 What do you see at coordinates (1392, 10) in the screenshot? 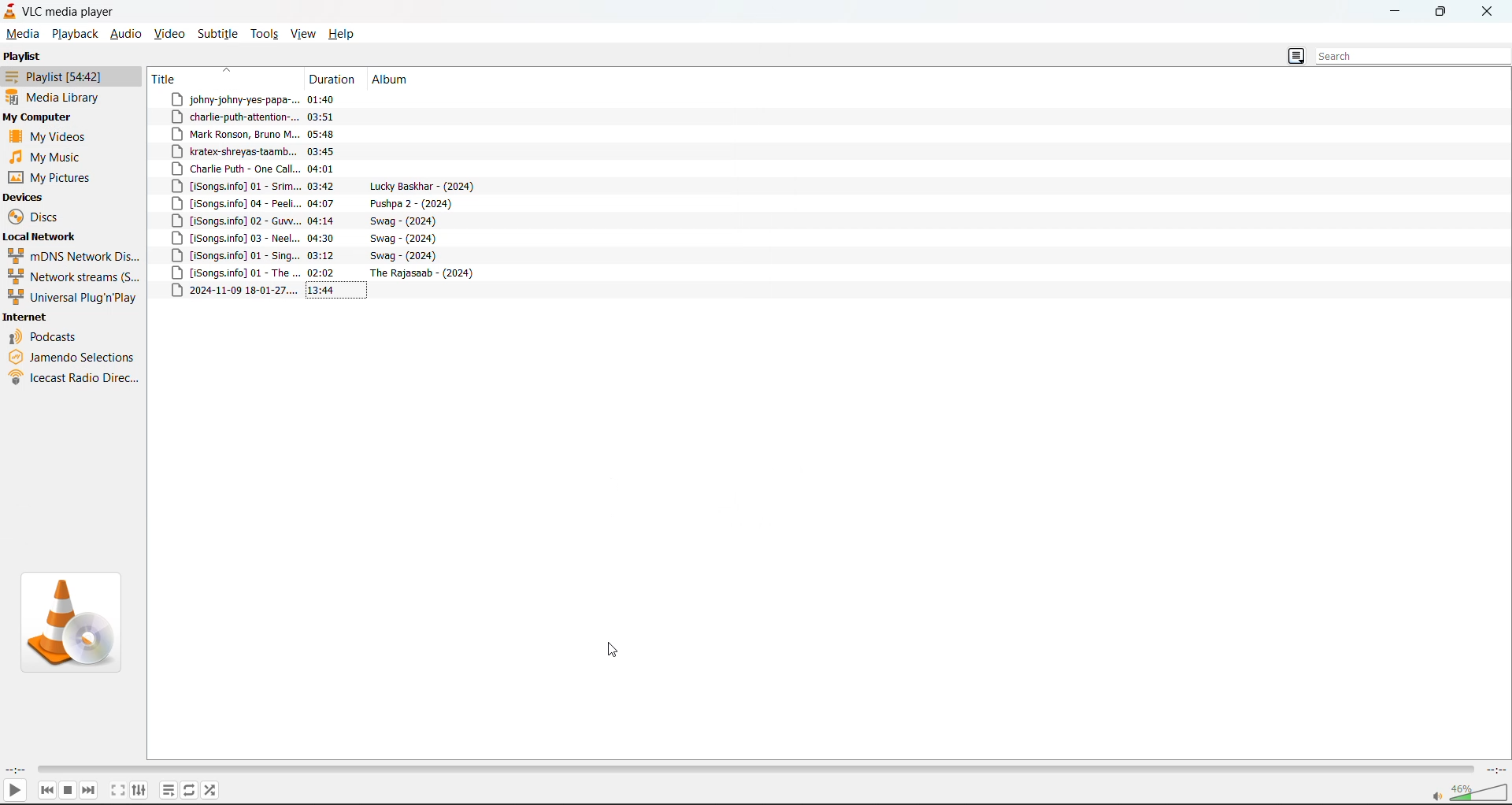
I see `minimize` at bounding box center [1392, 10].